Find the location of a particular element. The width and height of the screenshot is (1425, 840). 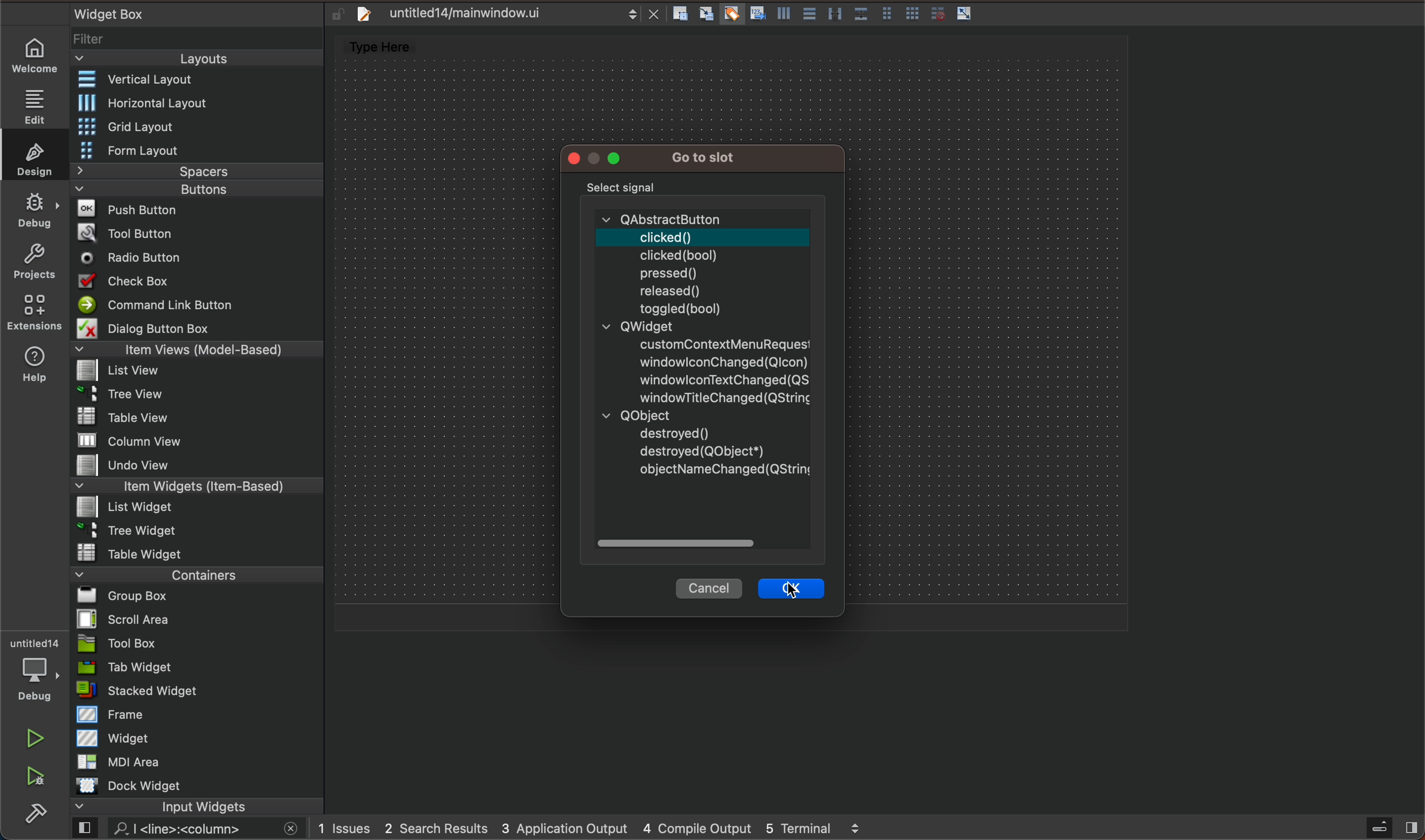

Type here is located at coordinates (402, 50).